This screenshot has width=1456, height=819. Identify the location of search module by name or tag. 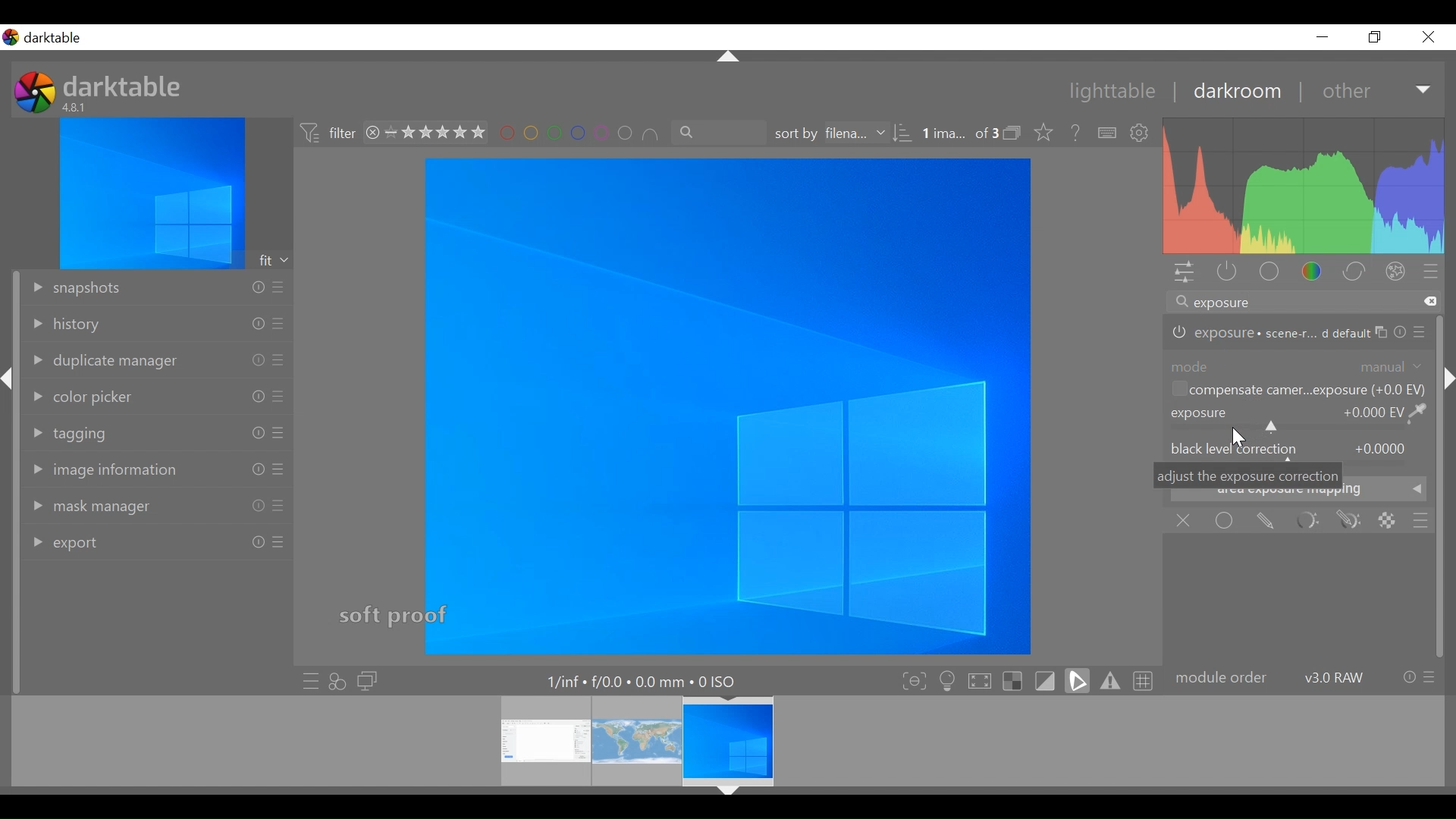
(1289, 303).